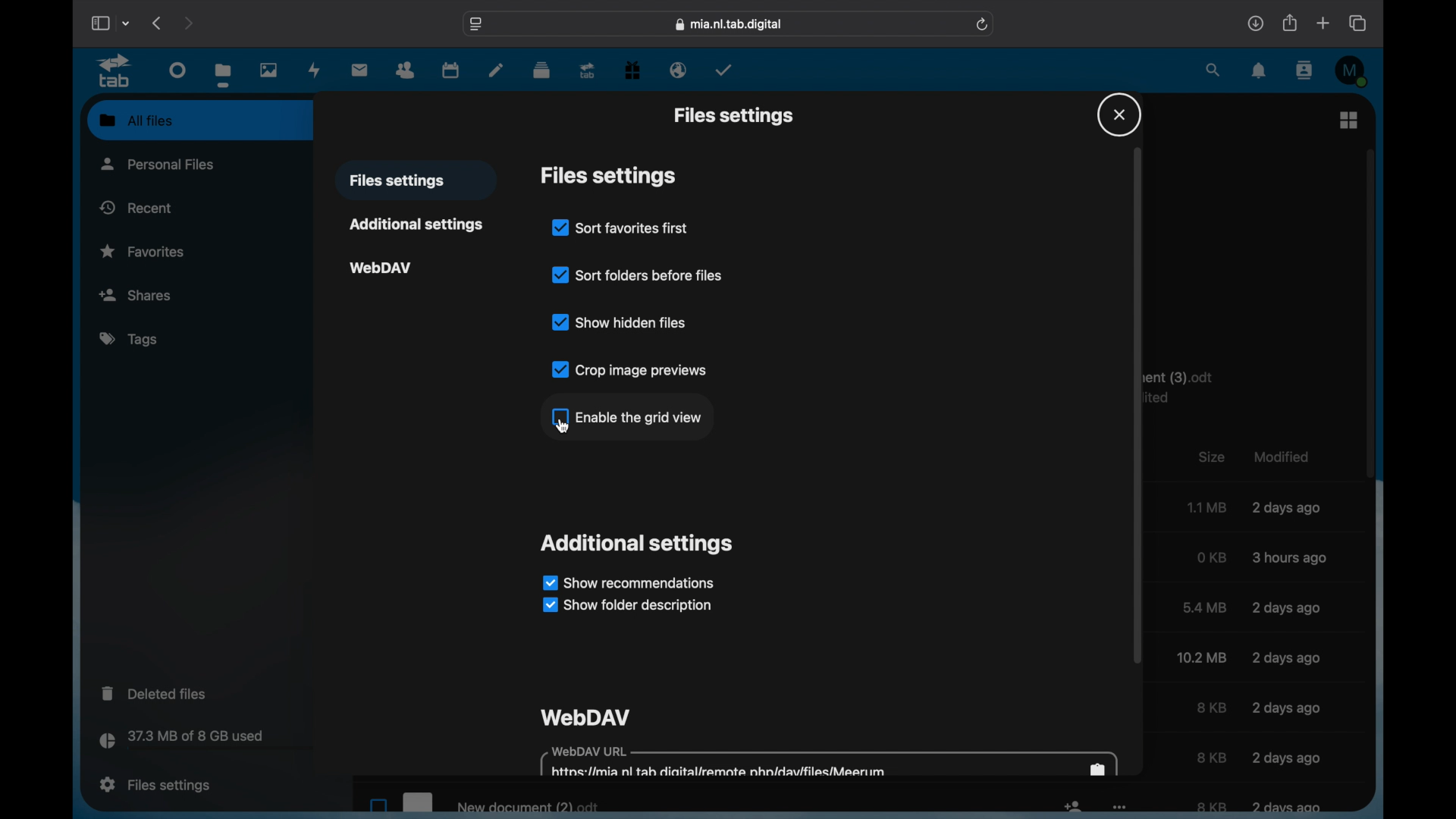 The width and height of the screenshot is (1456, 819). I want to click on tab, so click(115, 71).